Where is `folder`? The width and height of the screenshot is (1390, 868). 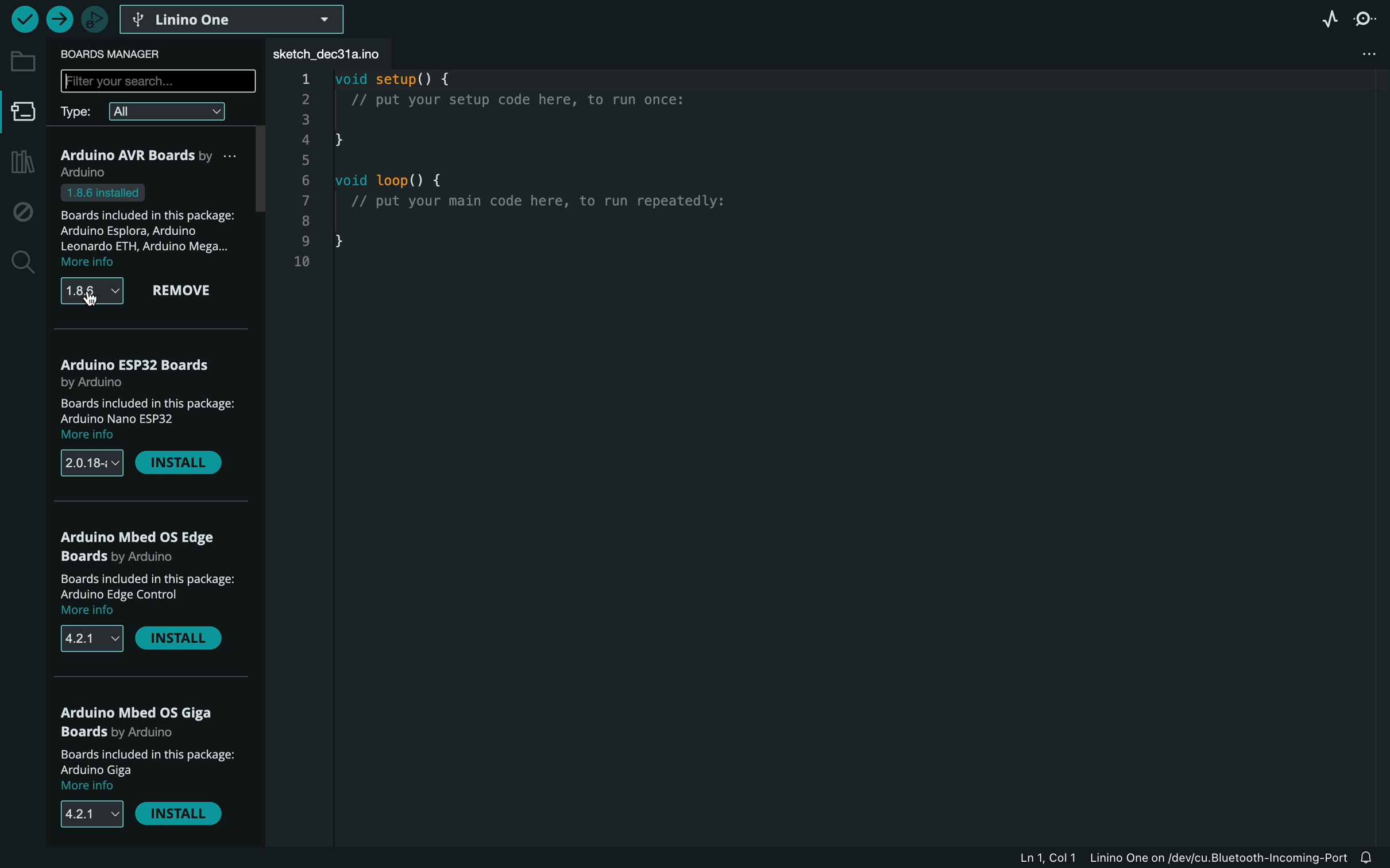
folder is located at coordinates (23, 61).